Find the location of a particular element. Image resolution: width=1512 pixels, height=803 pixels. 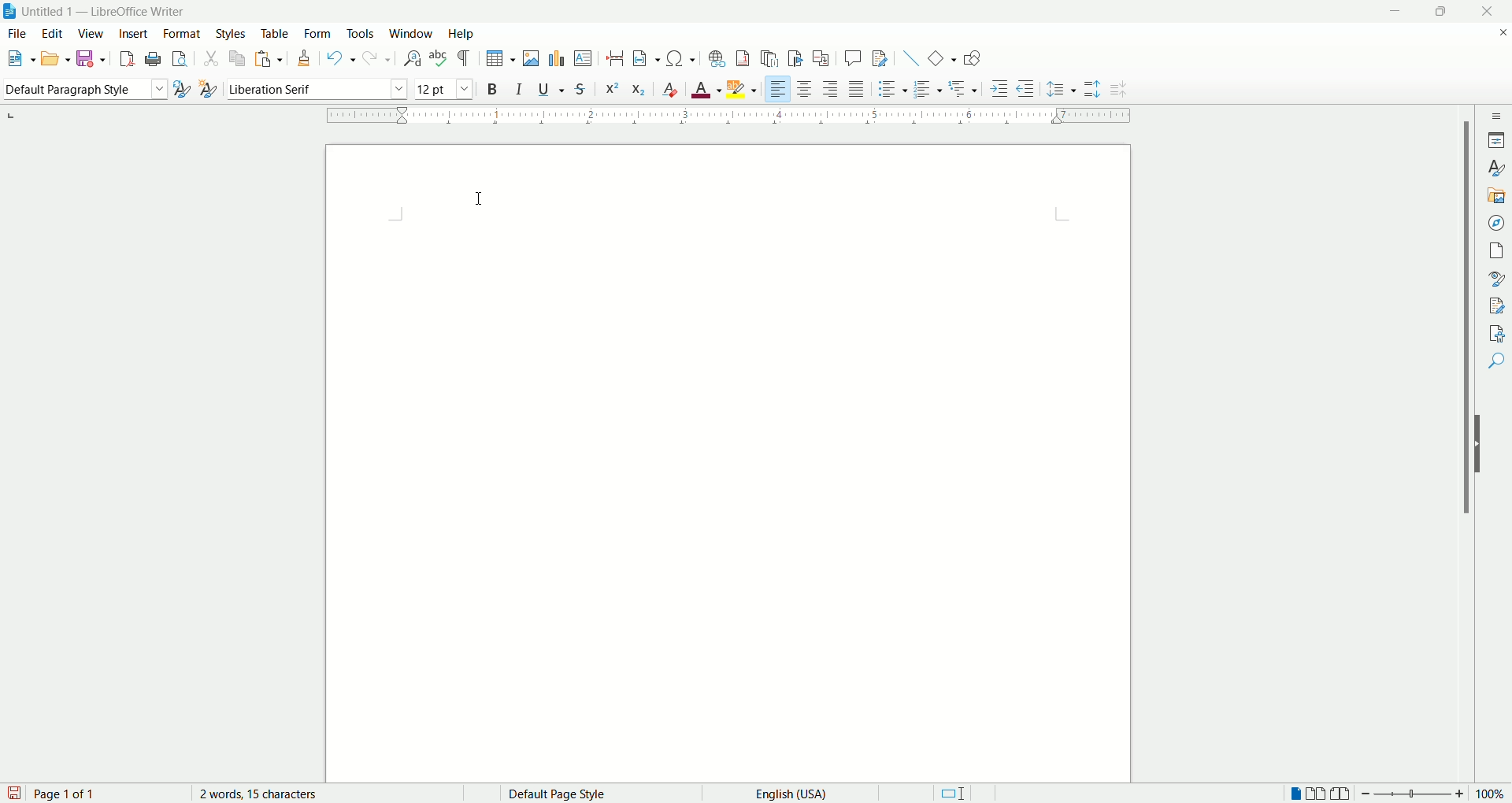

file is located at coordinates (18, 33).